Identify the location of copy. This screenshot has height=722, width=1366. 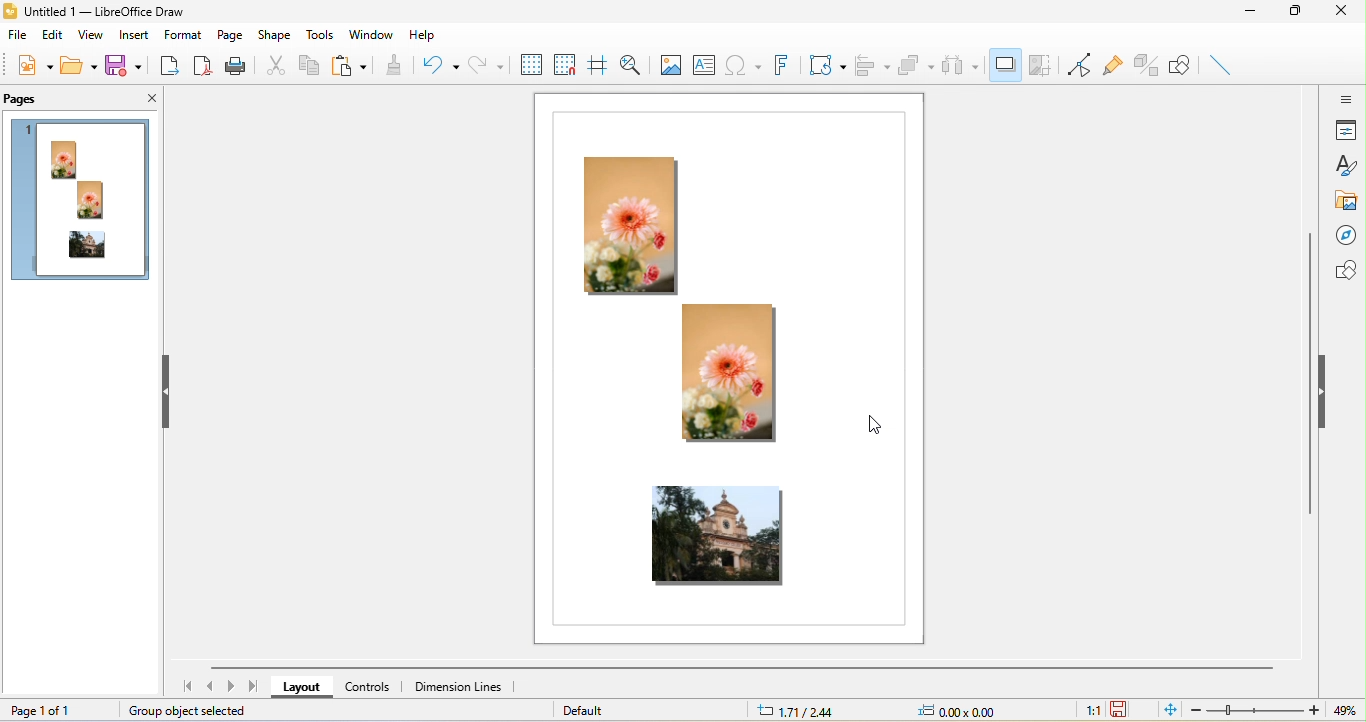
(308, 68).